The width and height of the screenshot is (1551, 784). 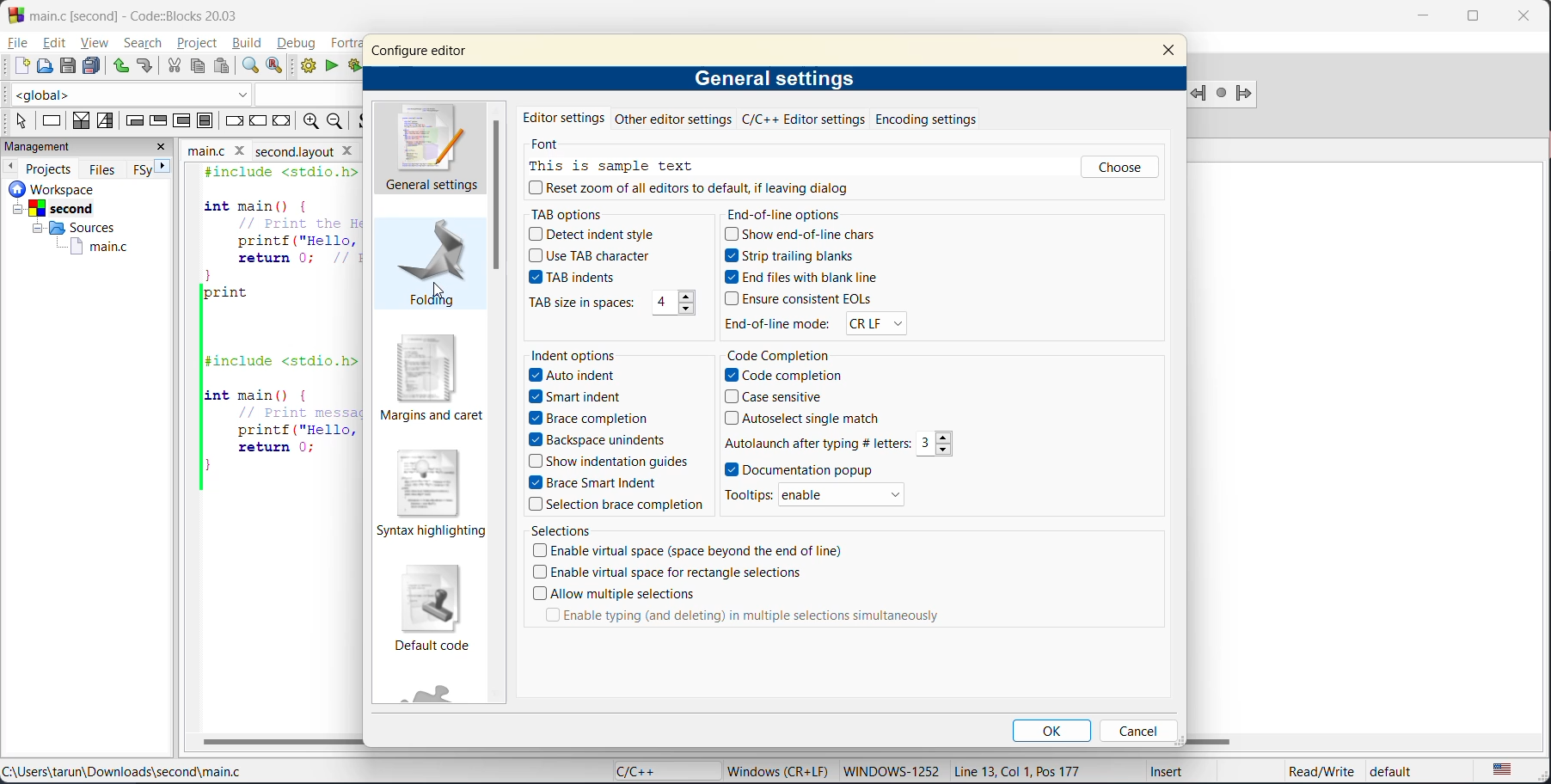 I want to click on instruction, so click(x=52, y=123).